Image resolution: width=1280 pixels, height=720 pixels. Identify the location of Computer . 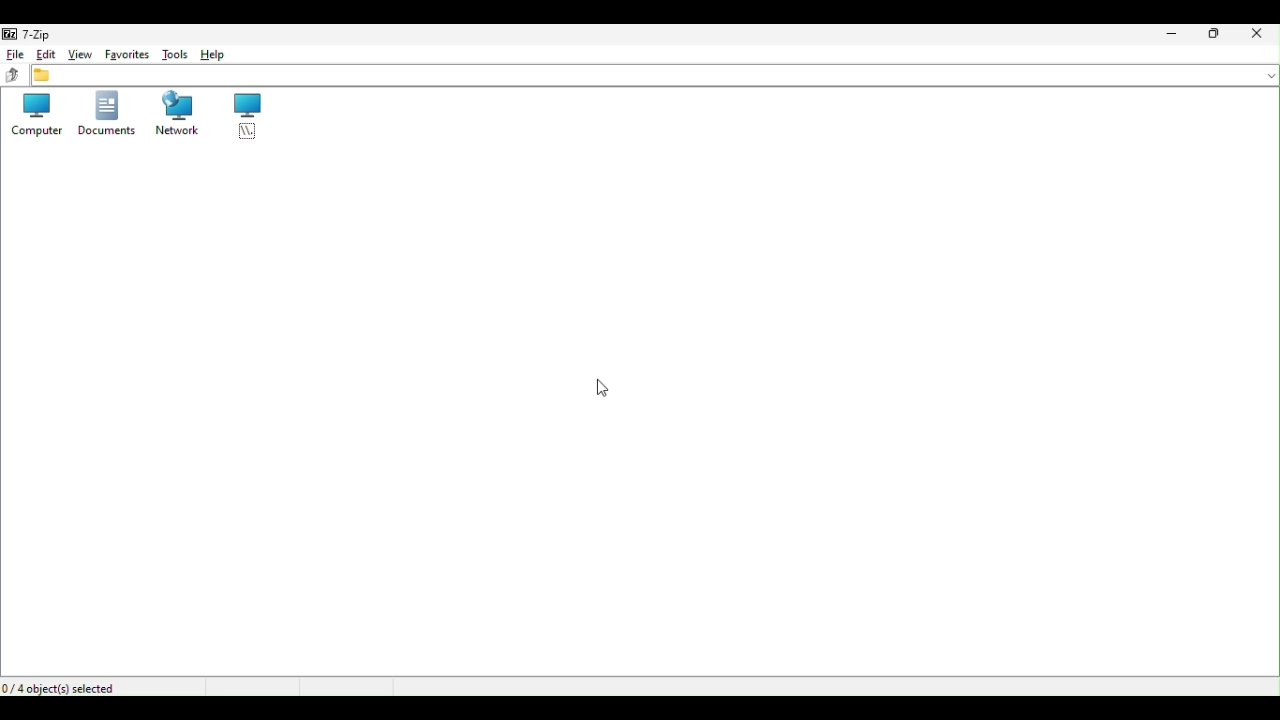
(34, 115).